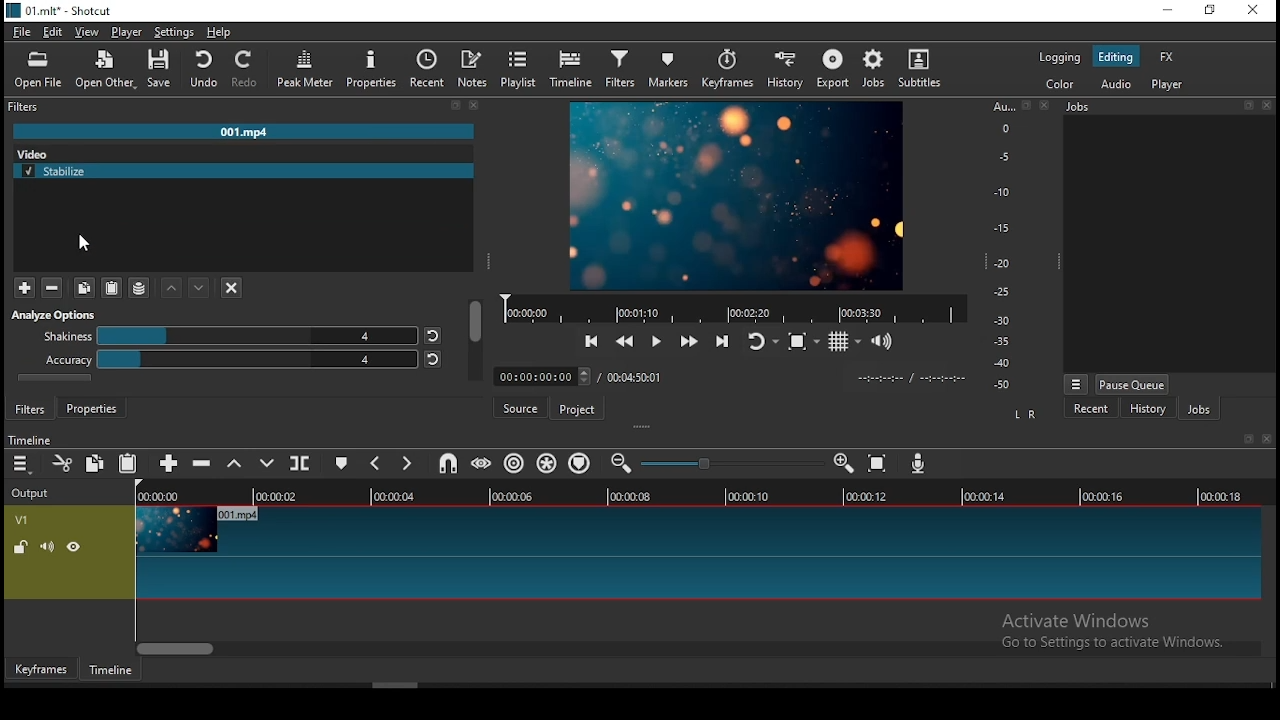 The image size is (1280, 720). I want to click on 01.mlt - Shortcut, so click(60, 10).